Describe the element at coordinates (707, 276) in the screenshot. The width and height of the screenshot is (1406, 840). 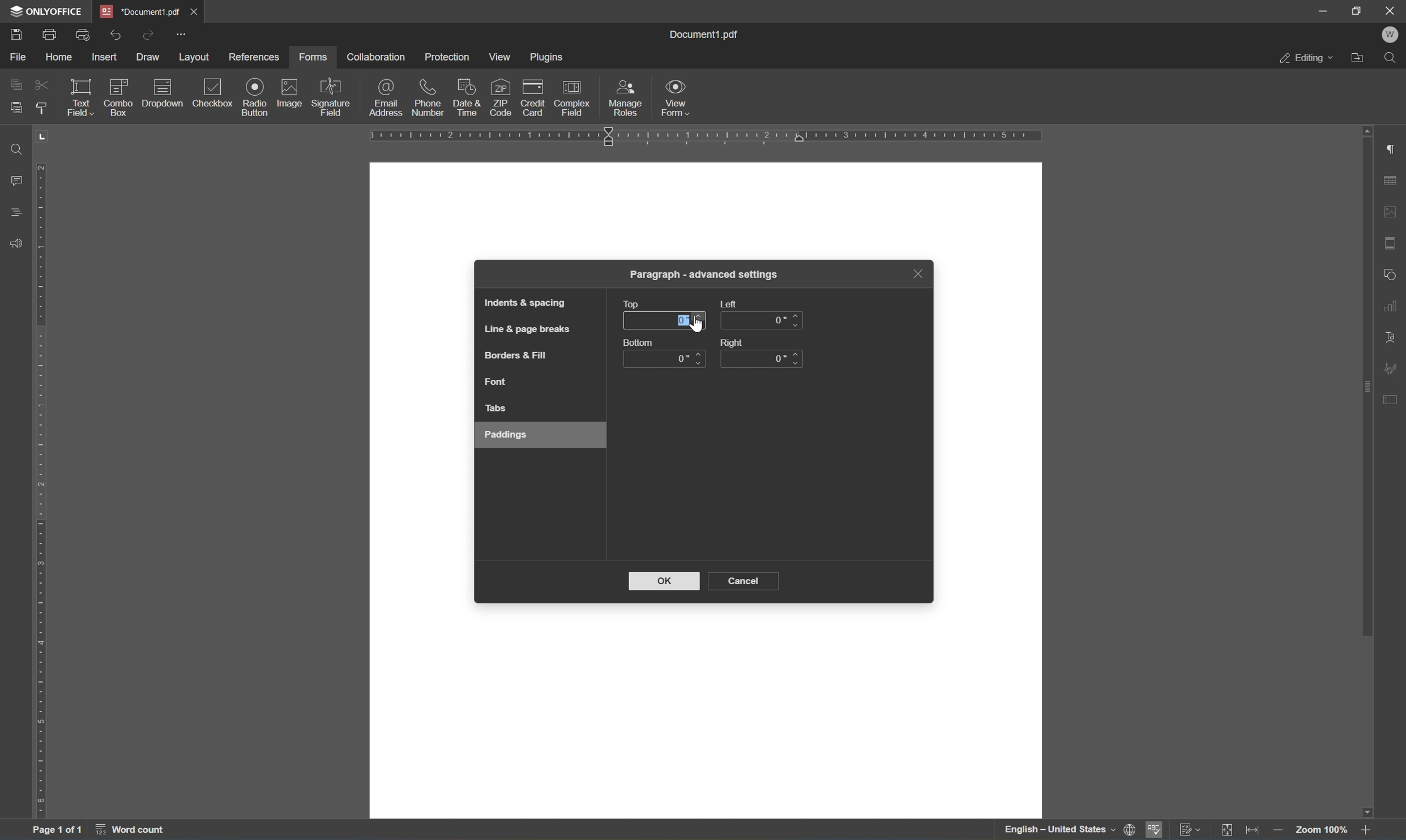
I see `paragraph - advanced settings` at that location.